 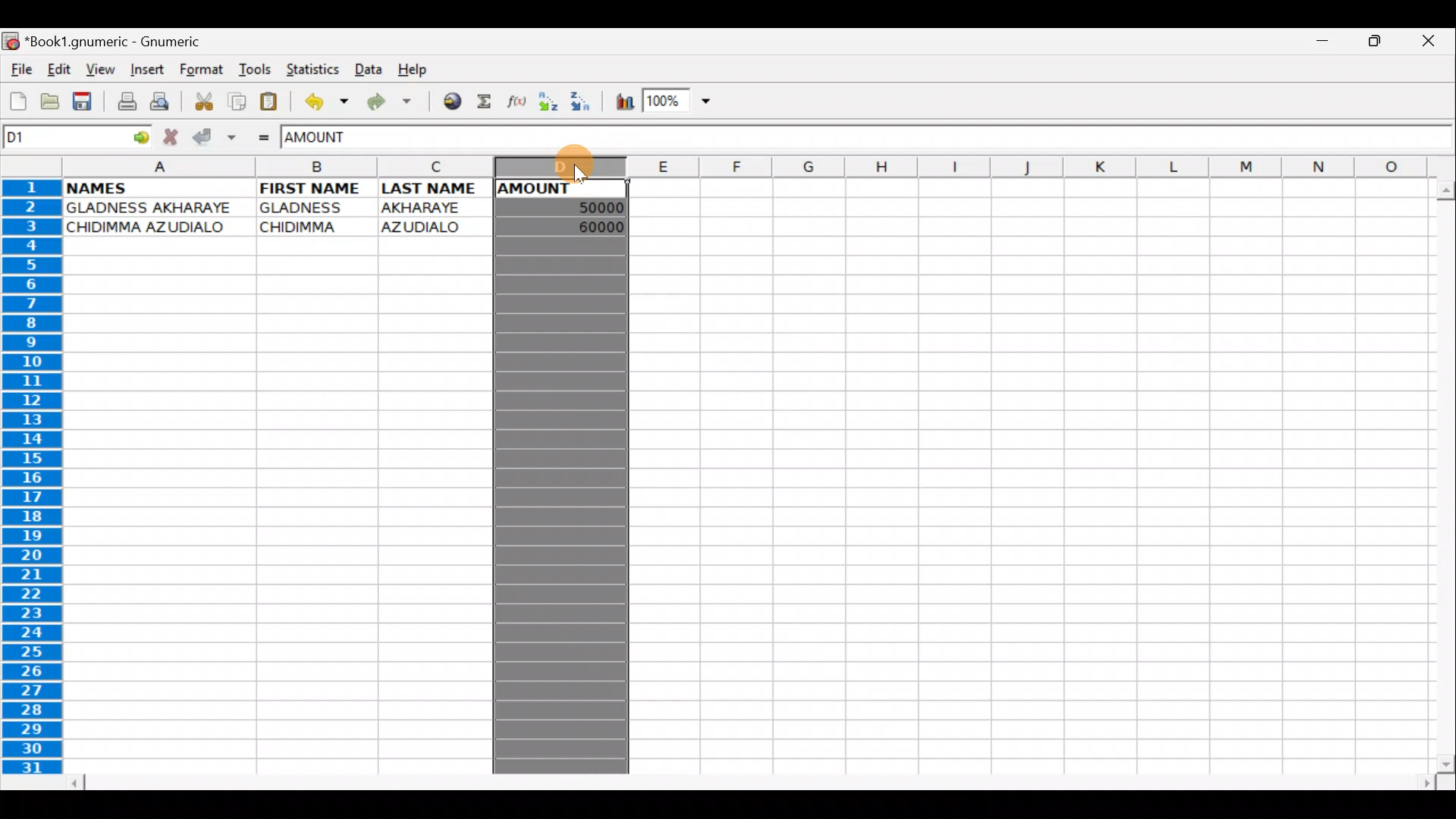 What do you see at coordinates (436, 190) in the screenshot?
I see `LAST NAME` at bounding box center [436, 190].